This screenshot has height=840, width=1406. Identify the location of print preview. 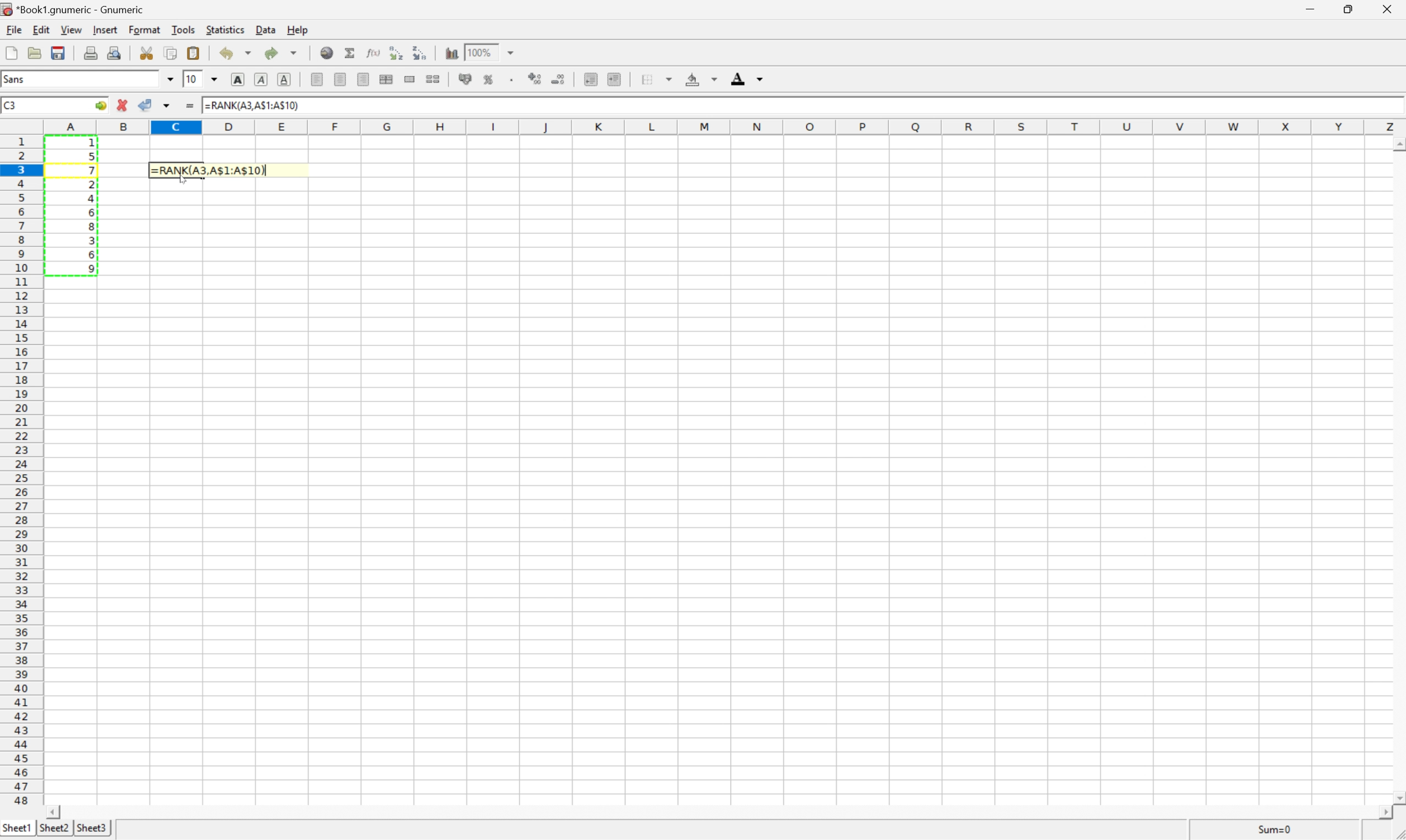
(113, 52).